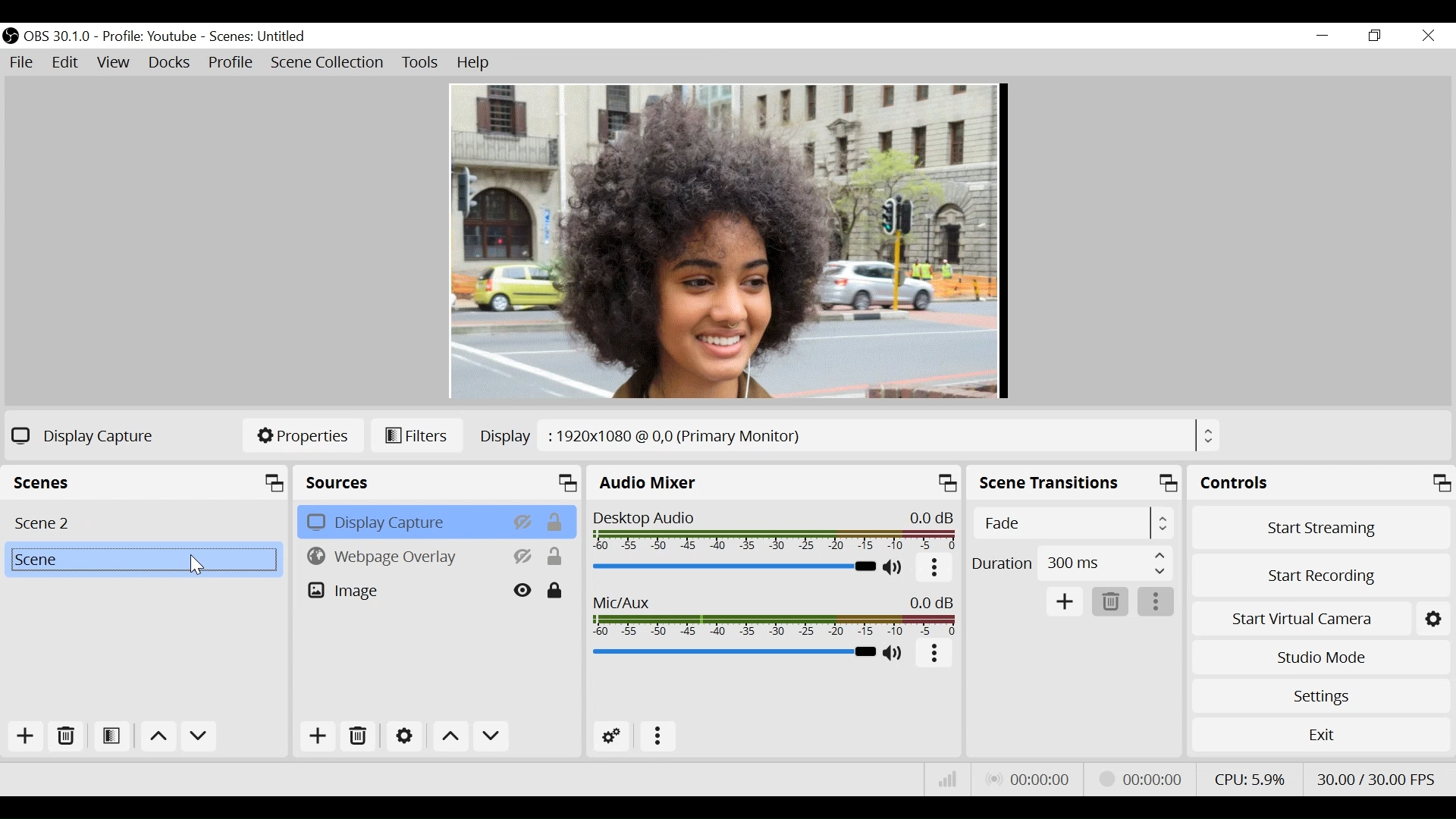 This screenshot has width=1456, height=819. What do you see at coordinates (1250, 778) in the screenshot?
I see `CPU Usage` at bounding box center [1250, 778].